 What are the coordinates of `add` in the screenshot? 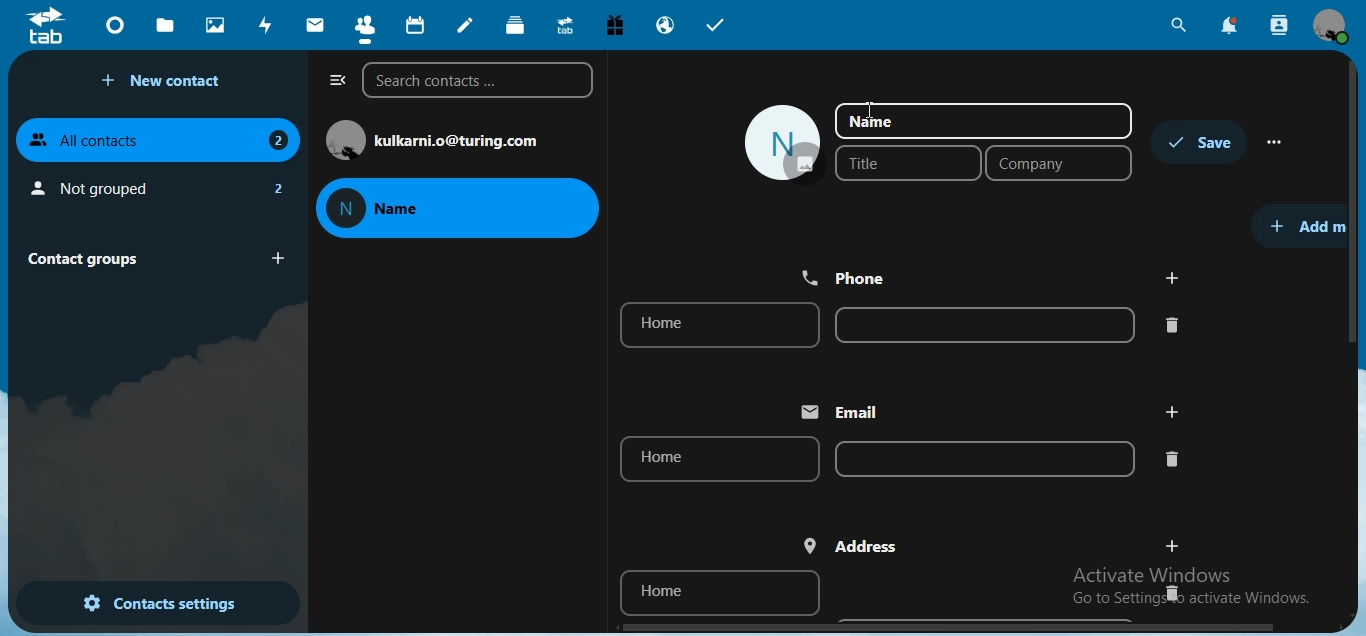 It's located at (1173, 544).